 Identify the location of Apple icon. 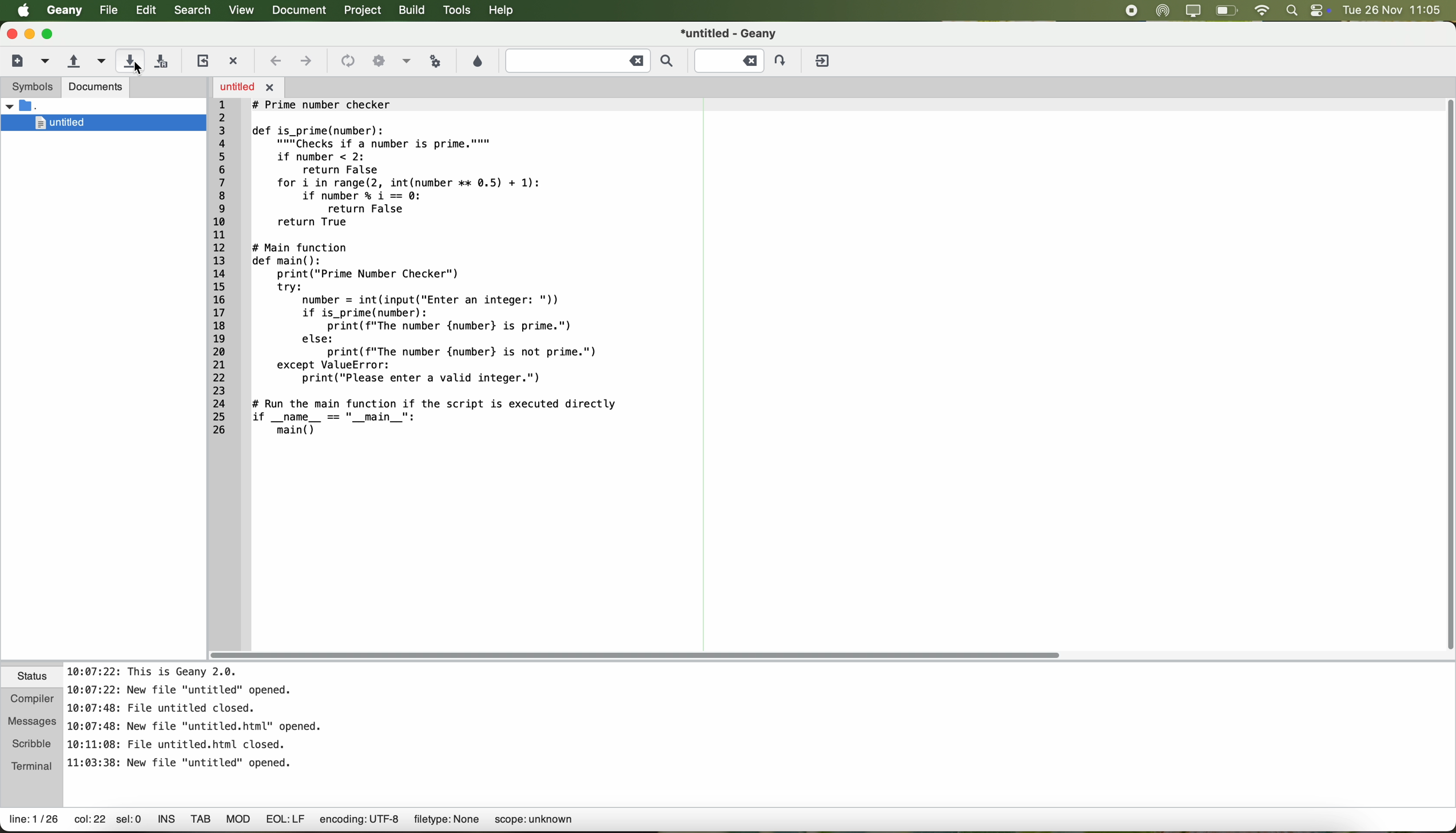
(18, 10).